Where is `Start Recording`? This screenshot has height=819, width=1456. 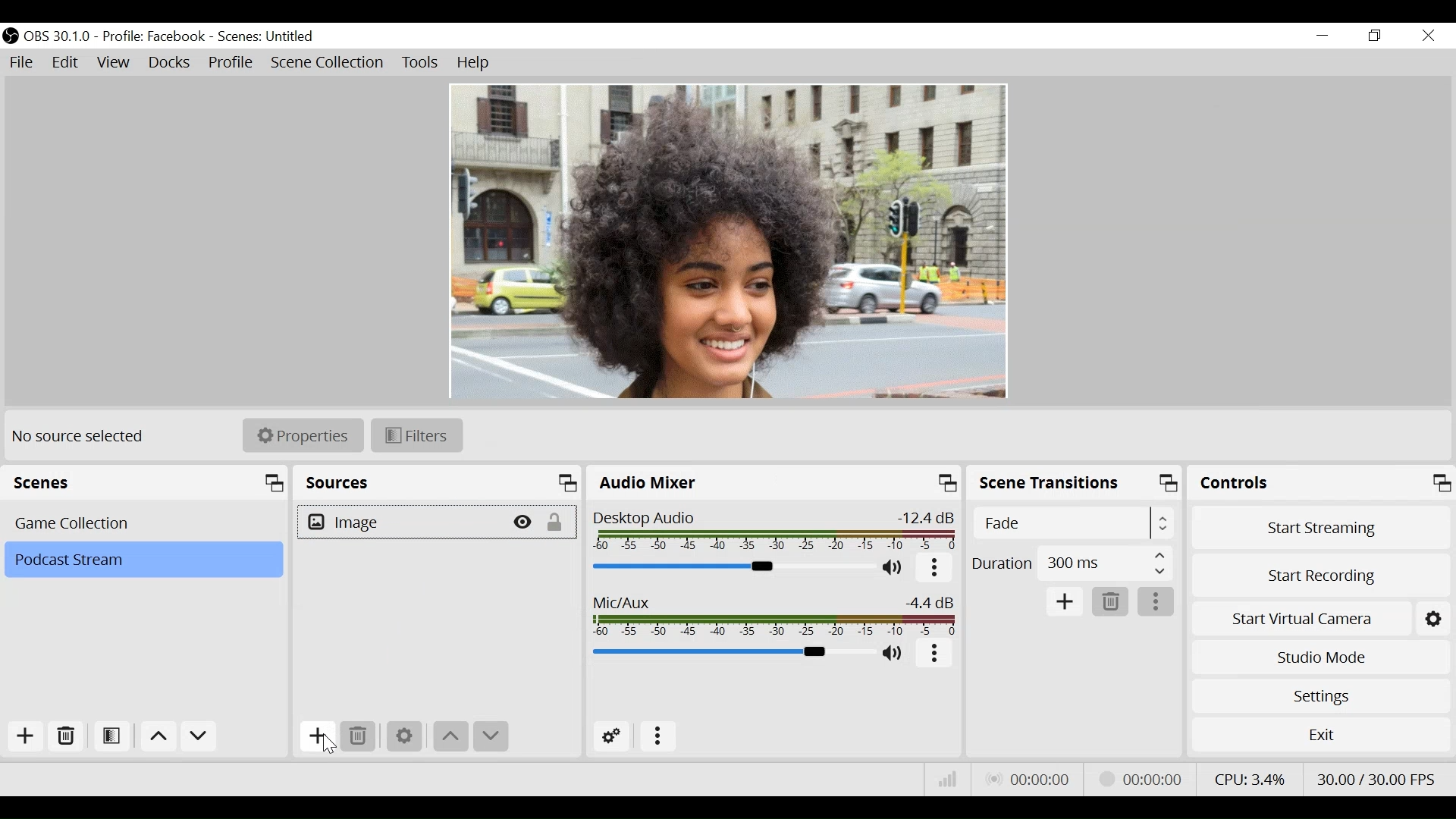 Start Recording is located at coordinates (1323, 571).